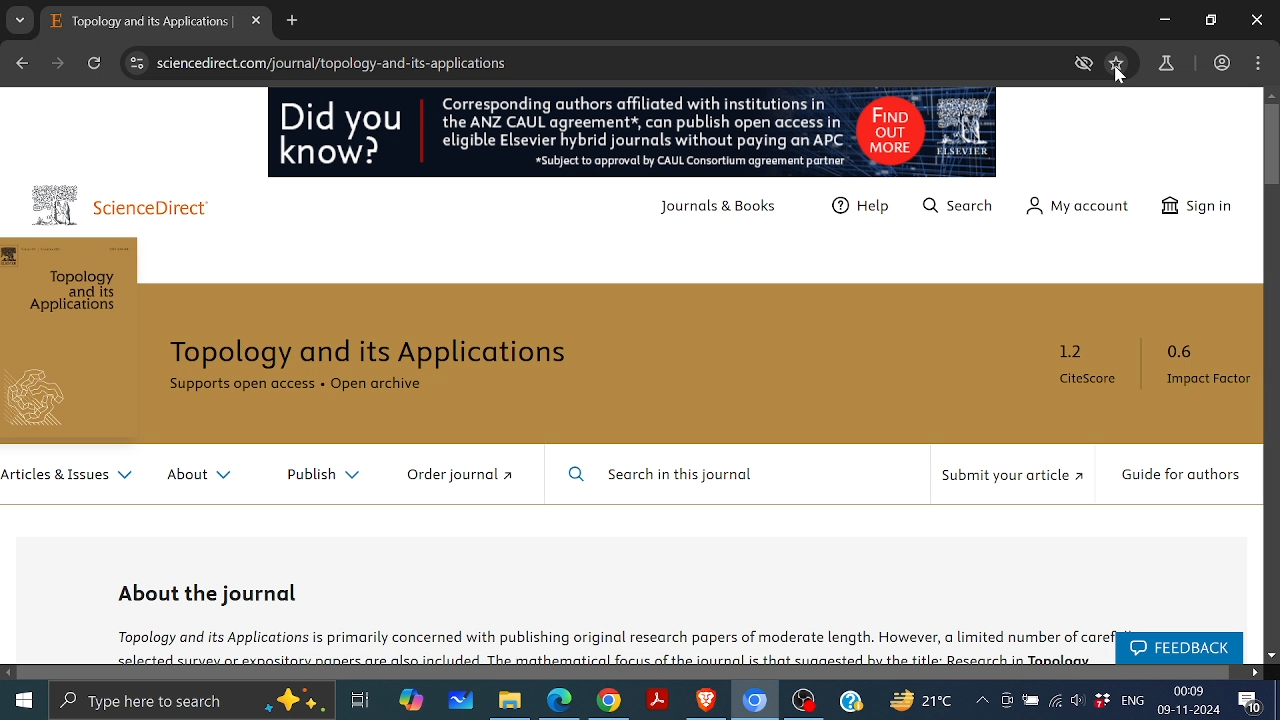  I want to click on 1.2 CiteScore, so click(1091, 369).